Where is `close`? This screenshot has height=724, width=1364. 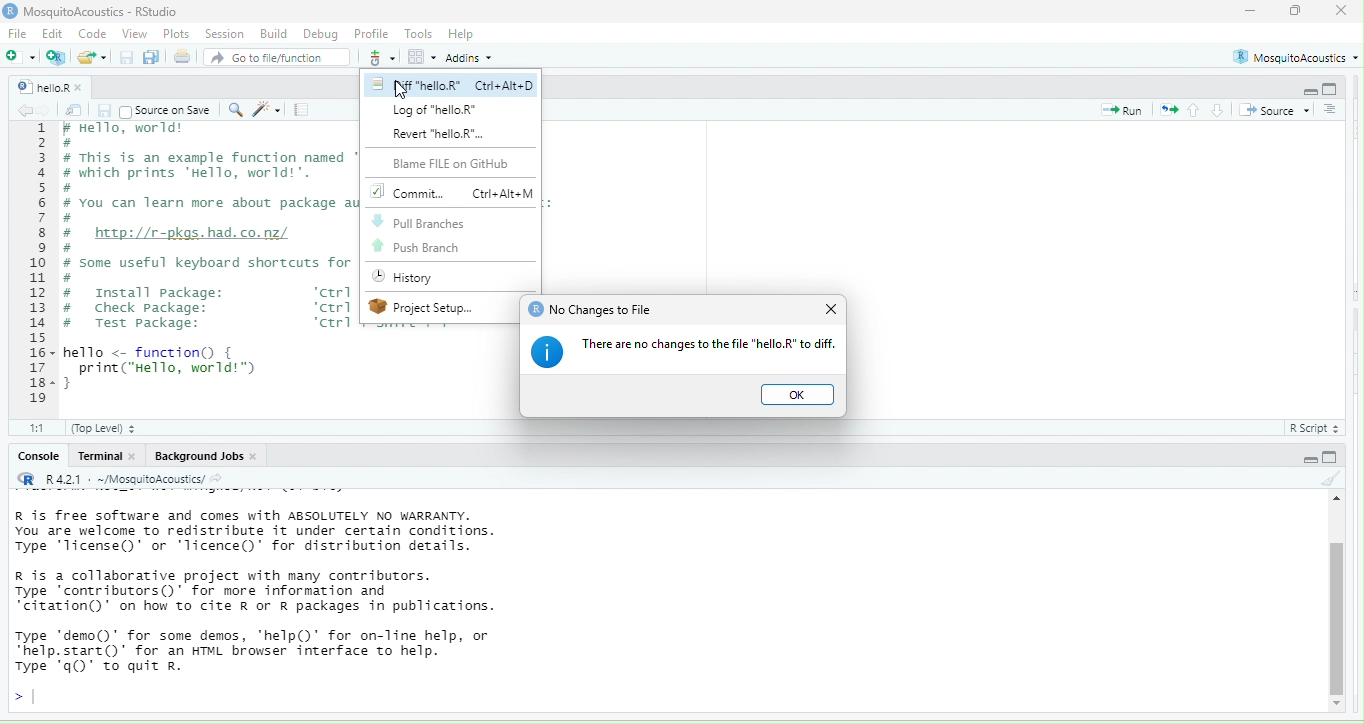 close is located at coordinates (84, 88).